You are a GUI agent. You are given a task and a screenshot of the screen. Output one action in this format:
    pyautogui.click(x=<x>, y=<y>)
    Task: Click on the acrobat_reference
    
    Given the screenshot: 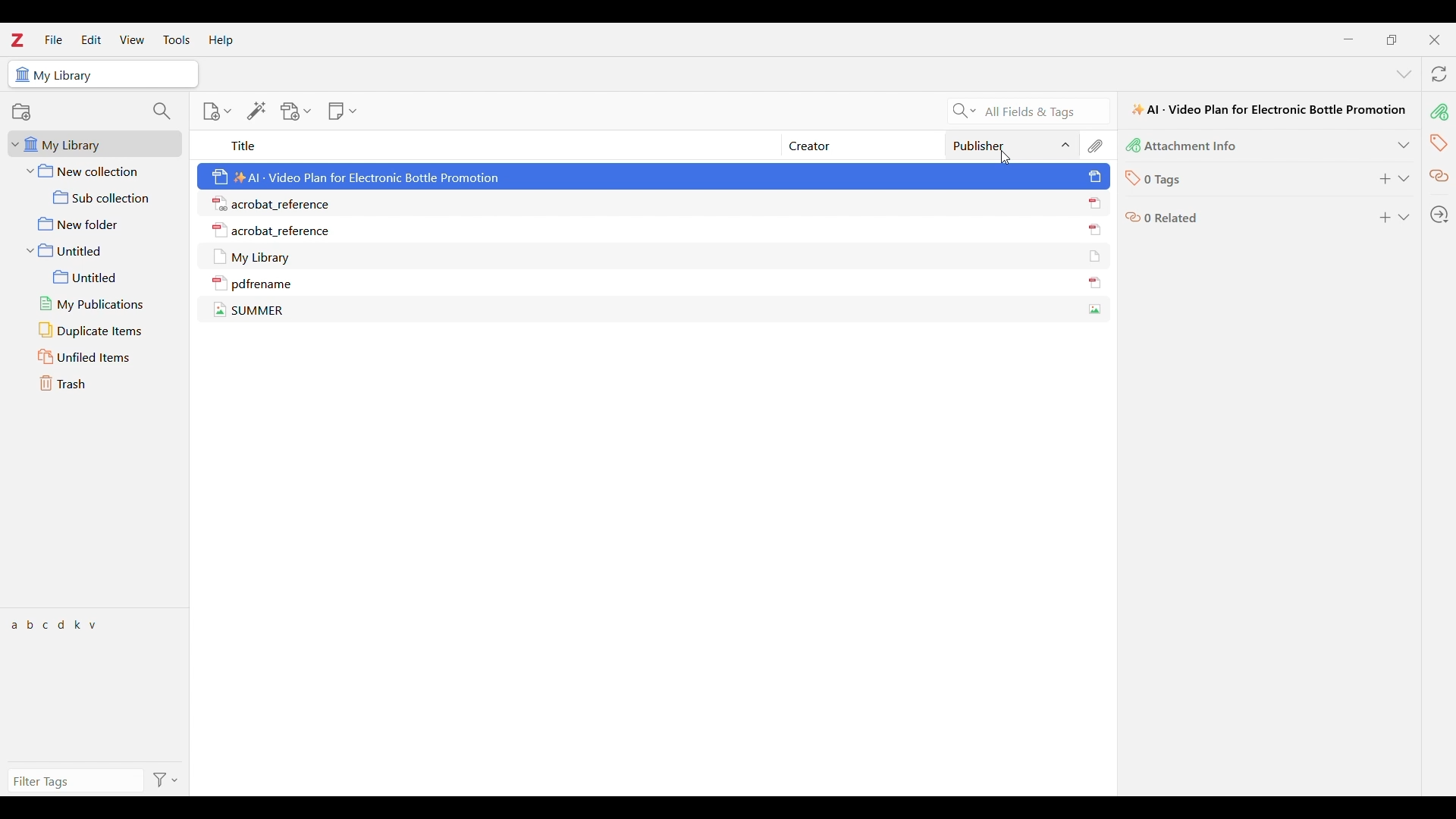 What is the action you would take?
    pyautogui.click(x=270, y=228)
    